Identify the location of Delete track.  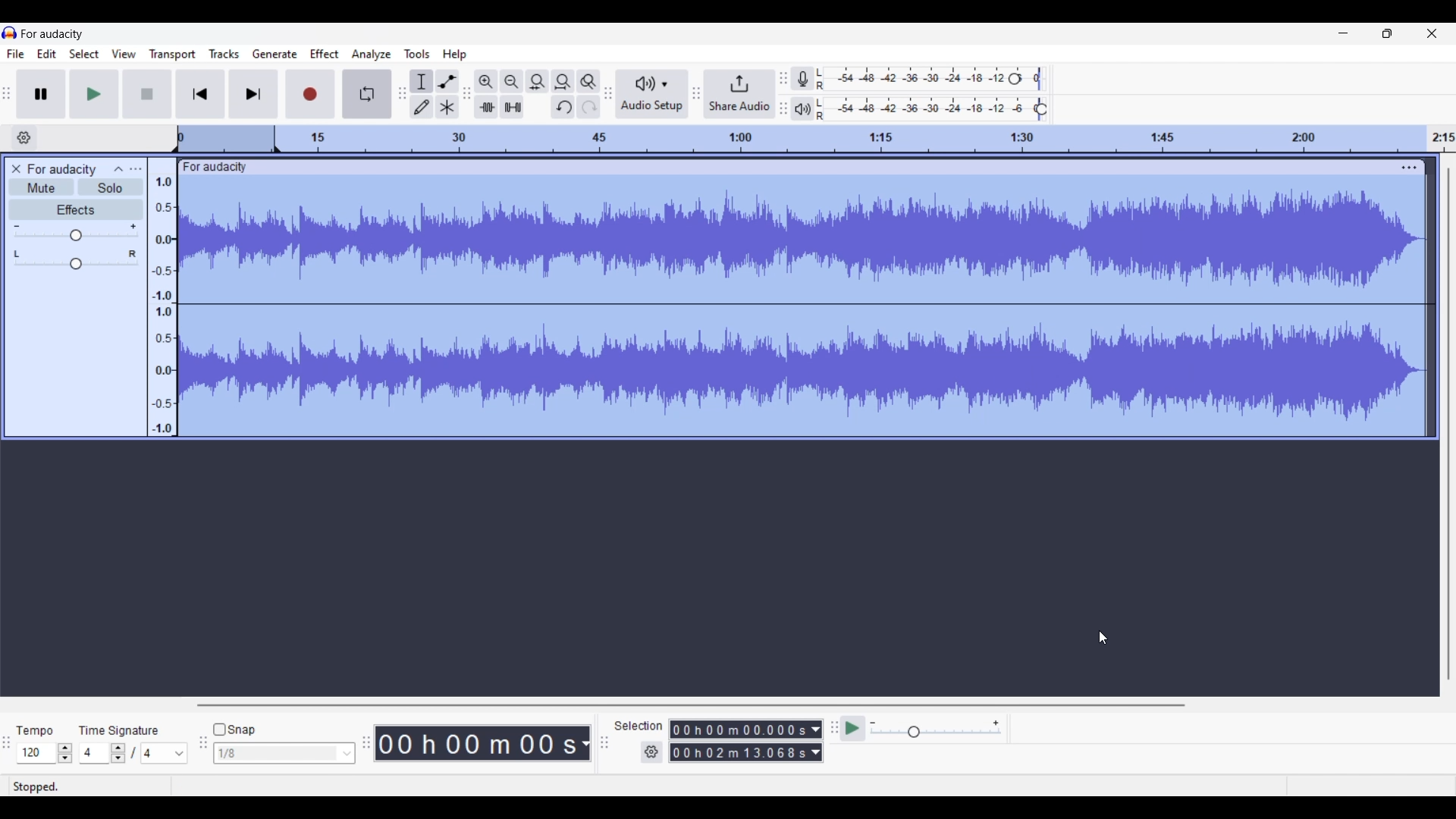
(18, 169).